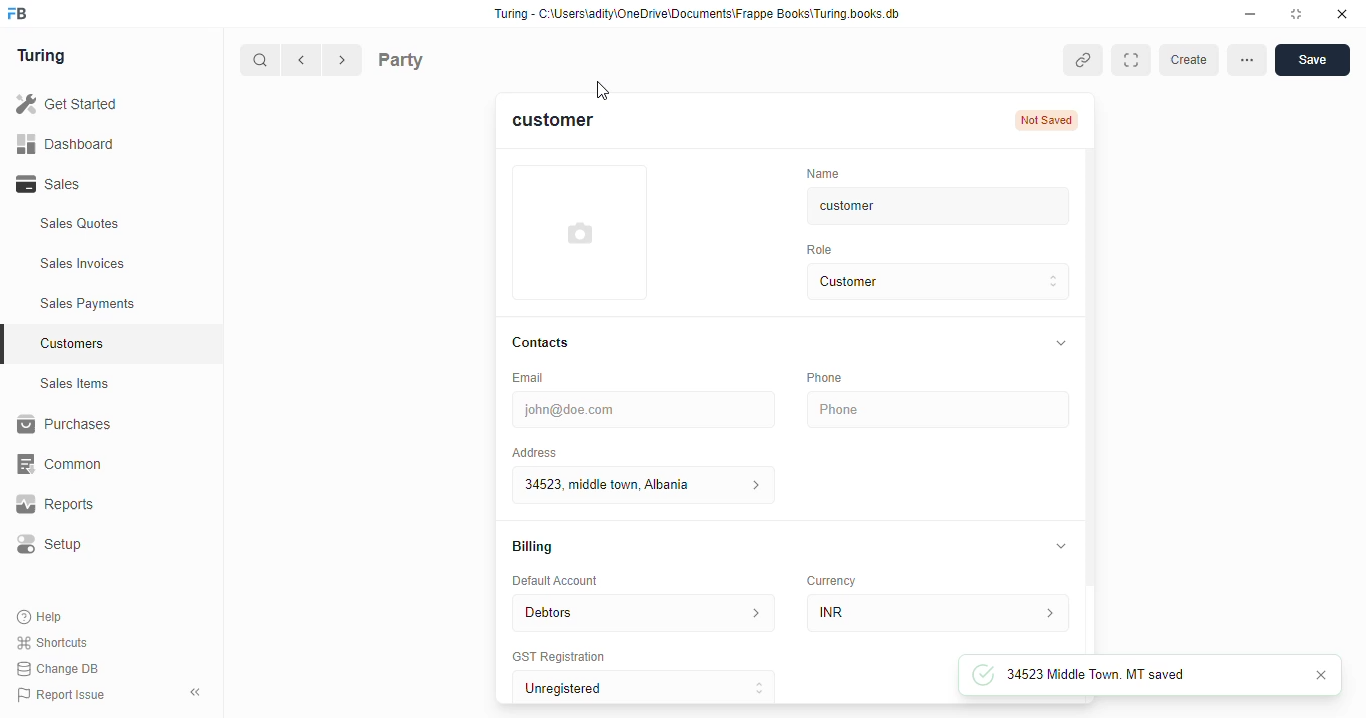  Describe the element at coordinates (583, 231) in the screenshot. I see `add profile photo` at that location.